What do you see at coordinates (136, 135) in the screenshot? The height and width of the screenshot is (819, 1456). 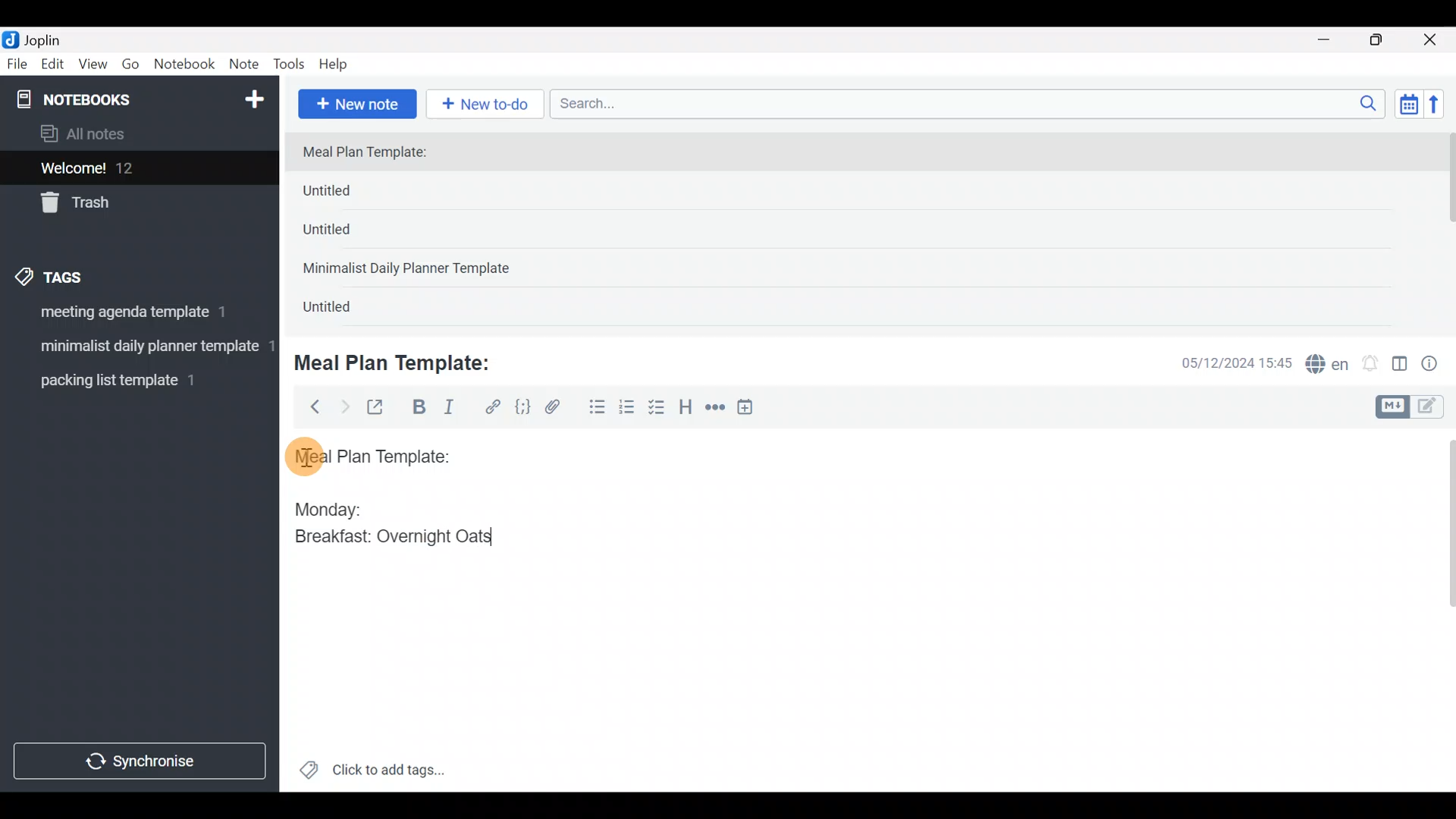 I see `All notes` at bounding box center [136, 135].